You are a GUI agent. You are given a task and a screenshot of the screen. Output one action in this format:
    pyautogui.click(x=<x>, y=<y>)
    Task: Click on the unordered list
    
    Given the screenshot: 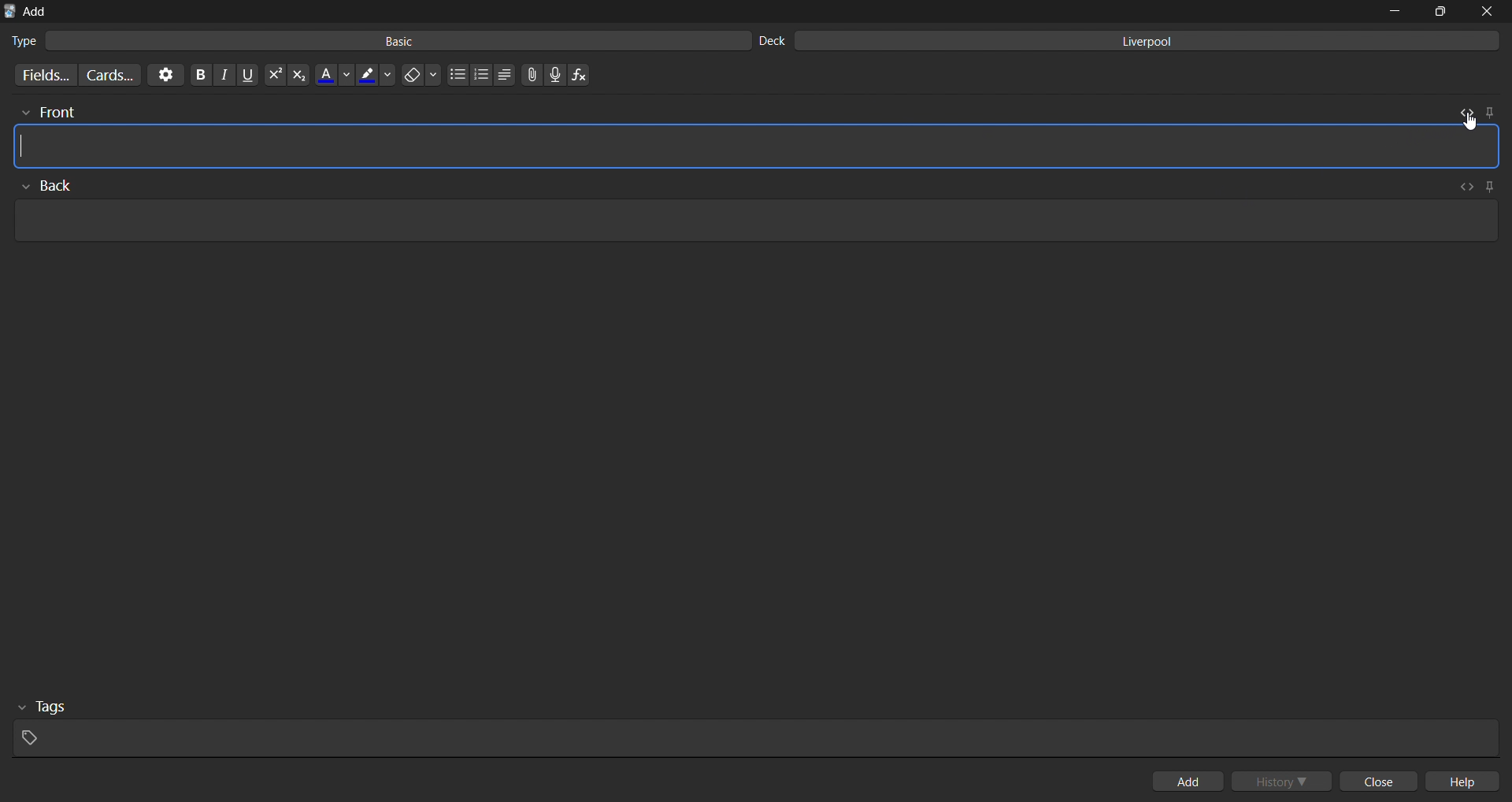 What is the action you would take?
    pyautogui.click(x=457, y=76)
    